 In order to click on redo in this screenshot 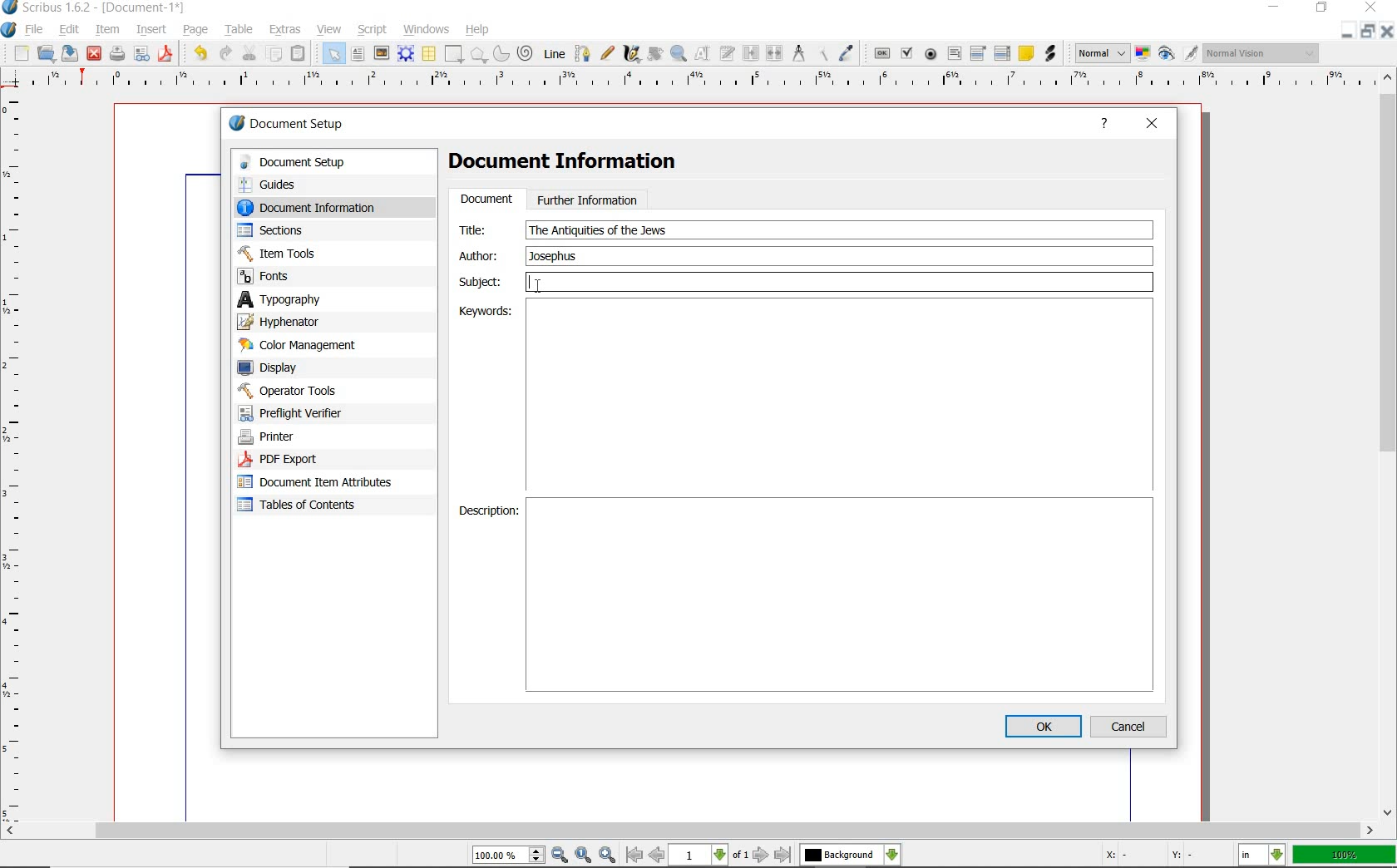, I will do `click(227, 54)`.